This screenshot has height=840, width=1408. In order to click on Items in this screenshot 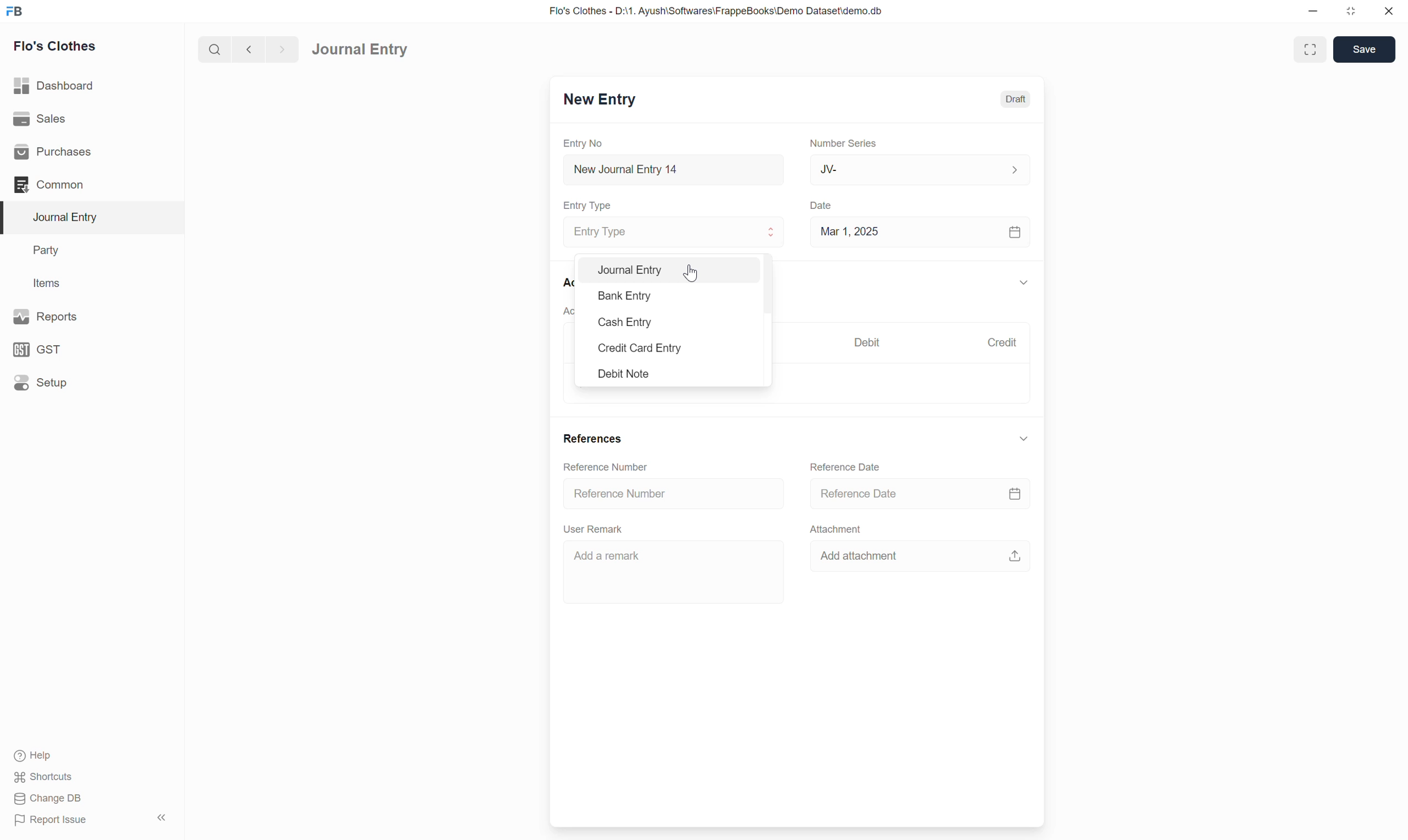, I will do `click(46, 282)`.